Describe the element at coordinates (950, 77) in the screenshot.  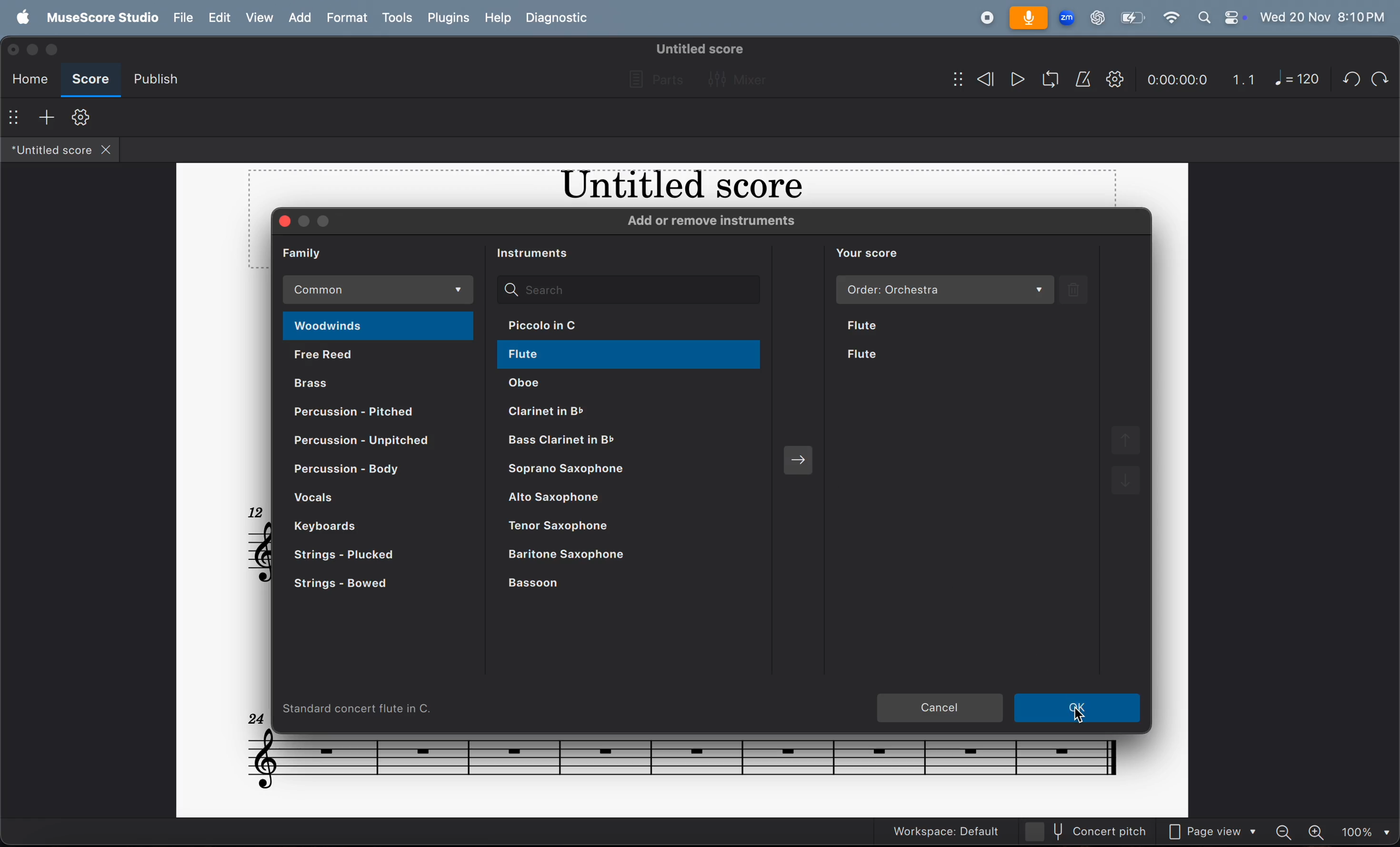
I see `show/hide` at that location.